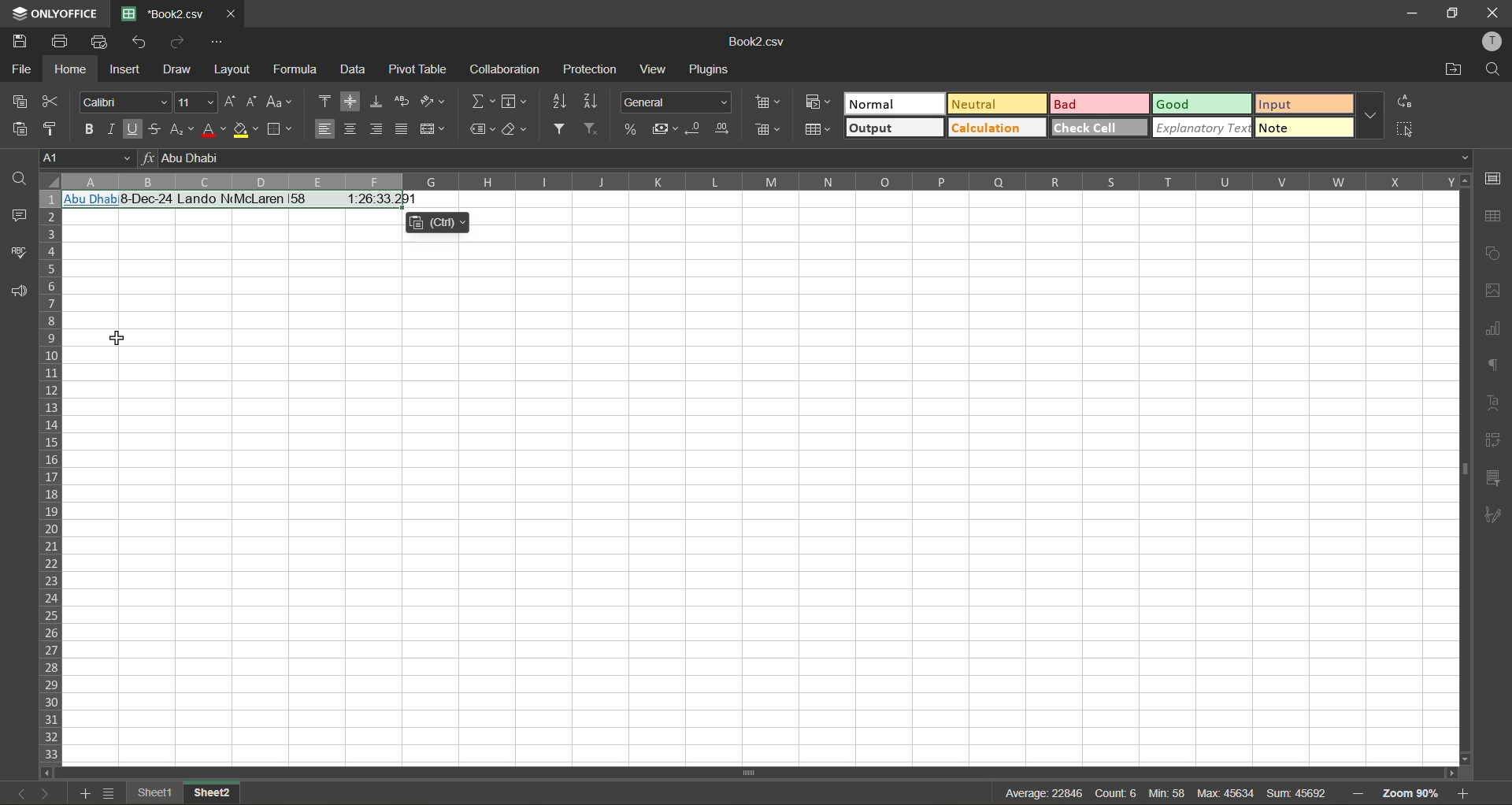 The height and width of the screenshot is (805, 1512). Describe the element at coordinates (325, 103) in the screenshot. I see `align top` at that location.